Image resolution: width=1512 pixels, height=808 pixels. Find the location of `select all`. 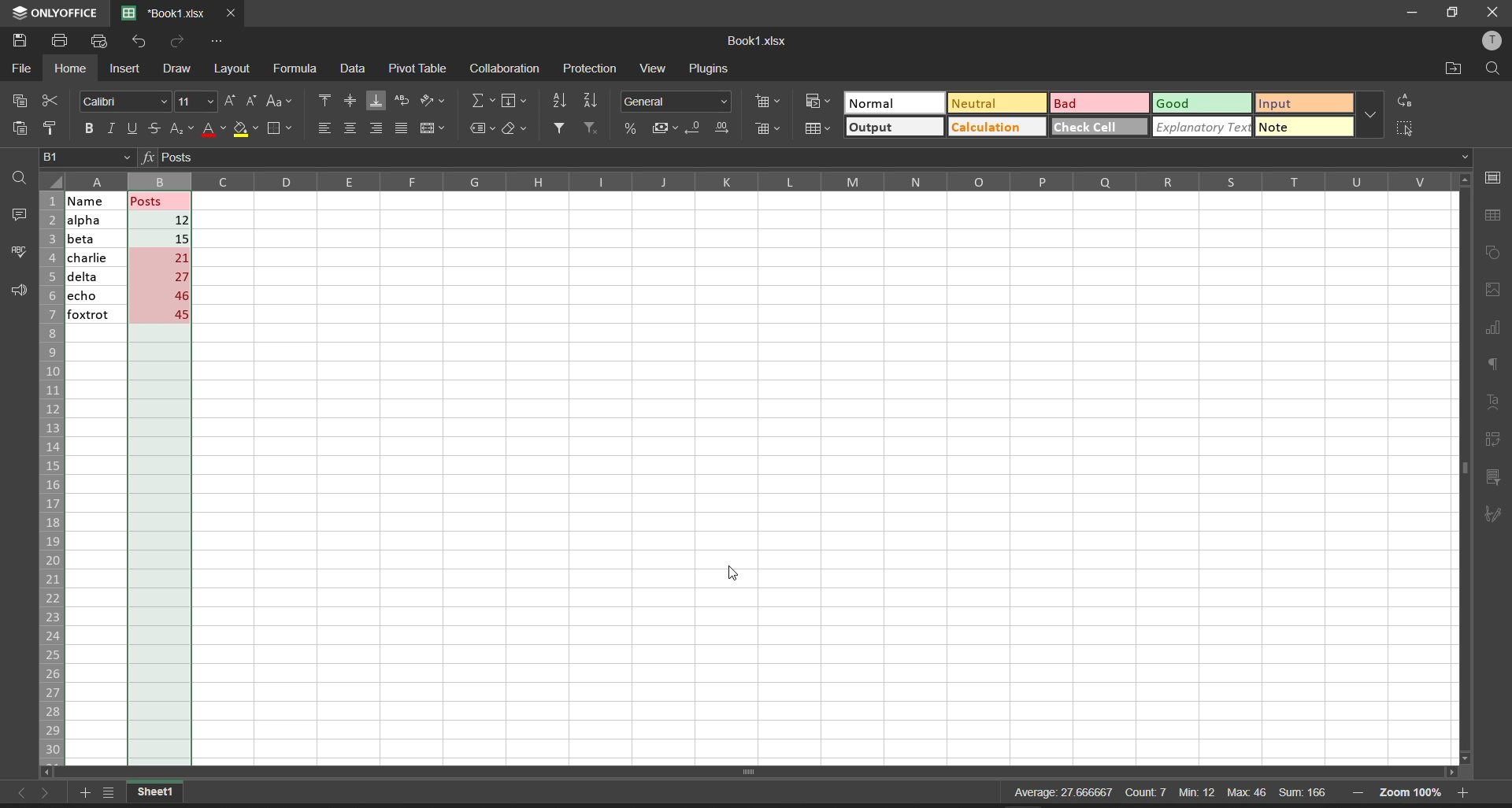

select all is located at coordinates (1407, 127).